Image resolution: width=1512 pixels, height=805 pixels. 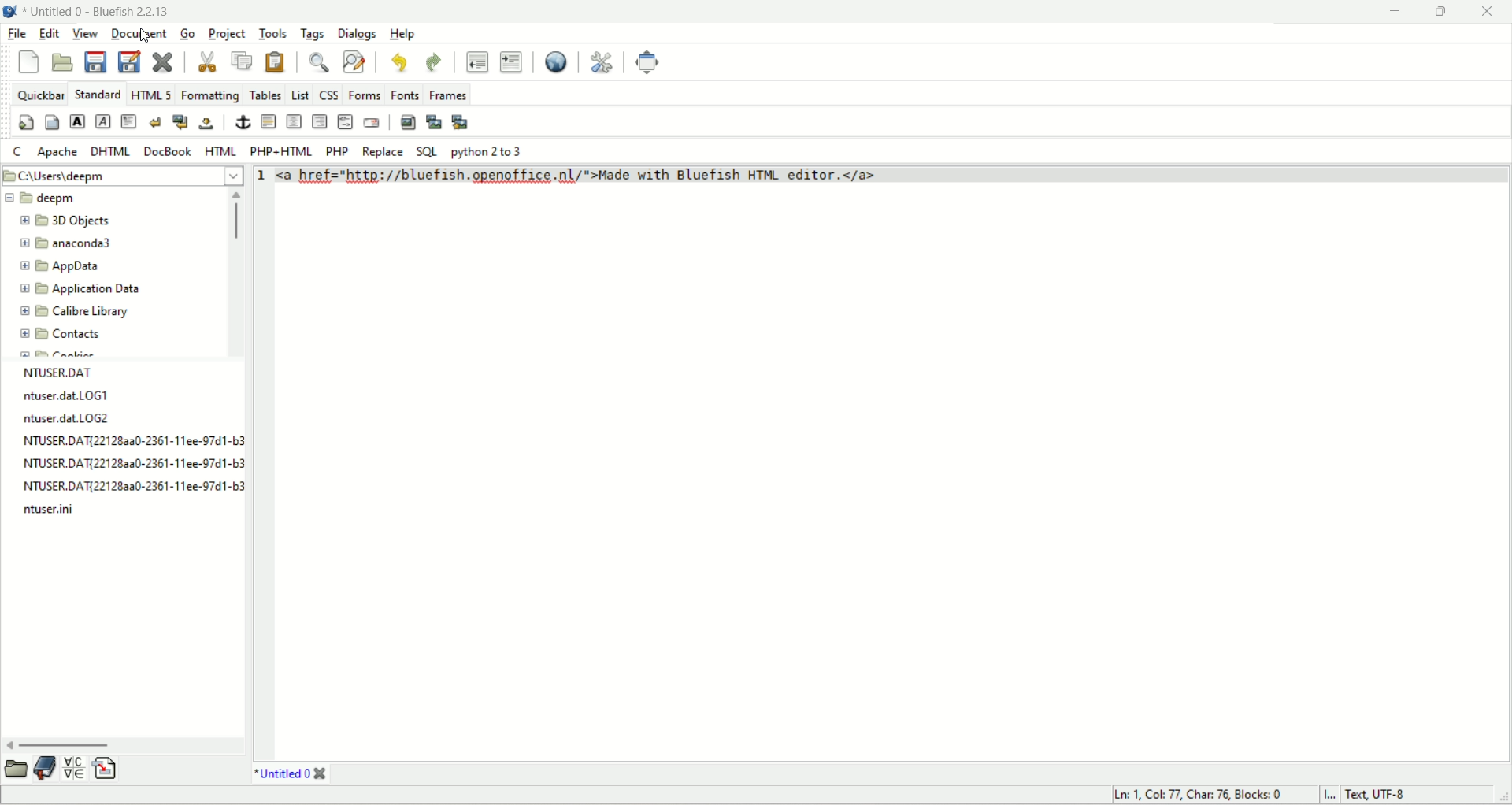 What do you see at coordinates (273, 61) in the screenshot?
I see `paste` at bounding box center [273, 61].